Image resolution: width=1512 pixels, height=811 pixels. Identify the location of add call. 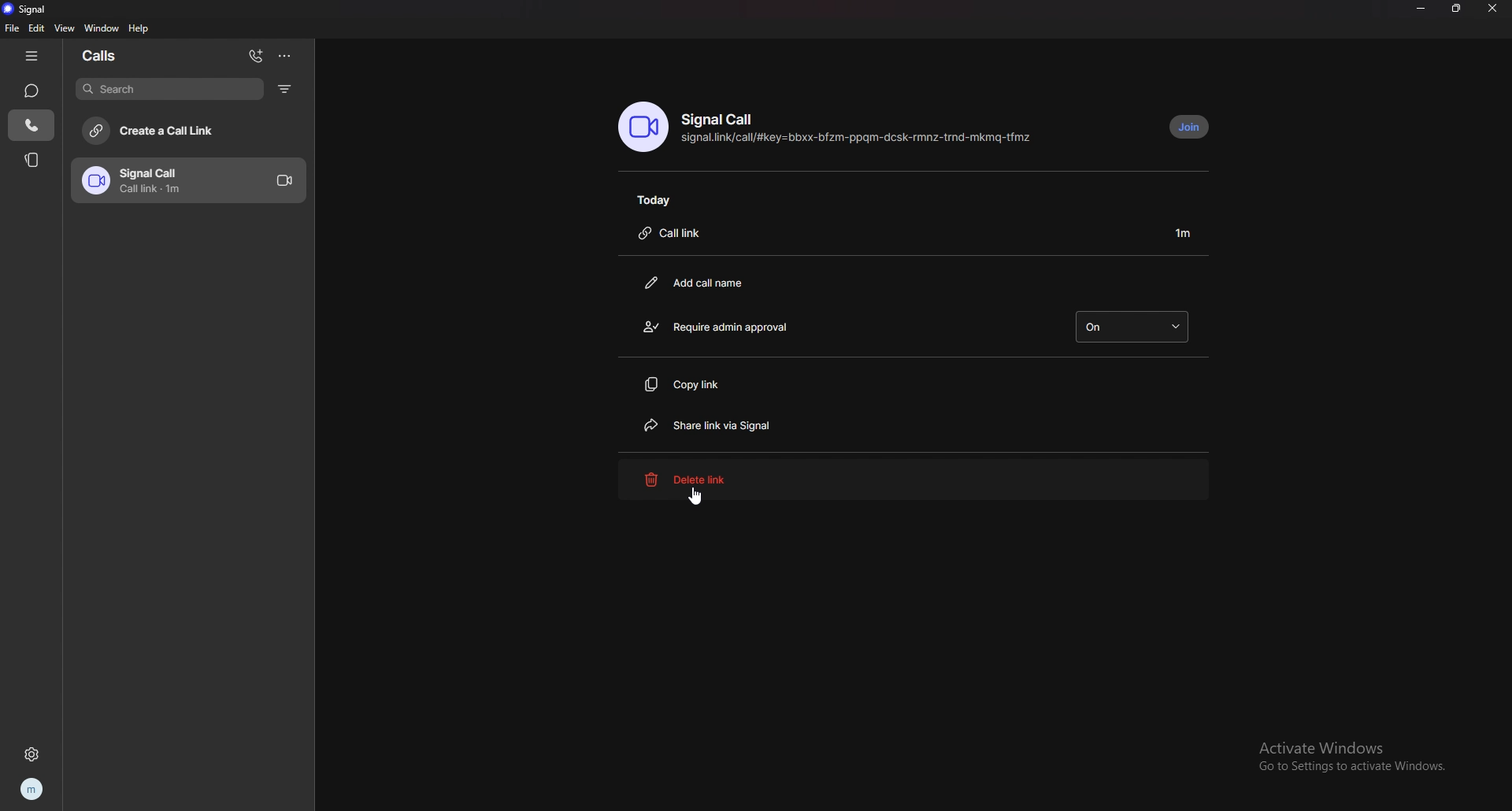
(258, 54).